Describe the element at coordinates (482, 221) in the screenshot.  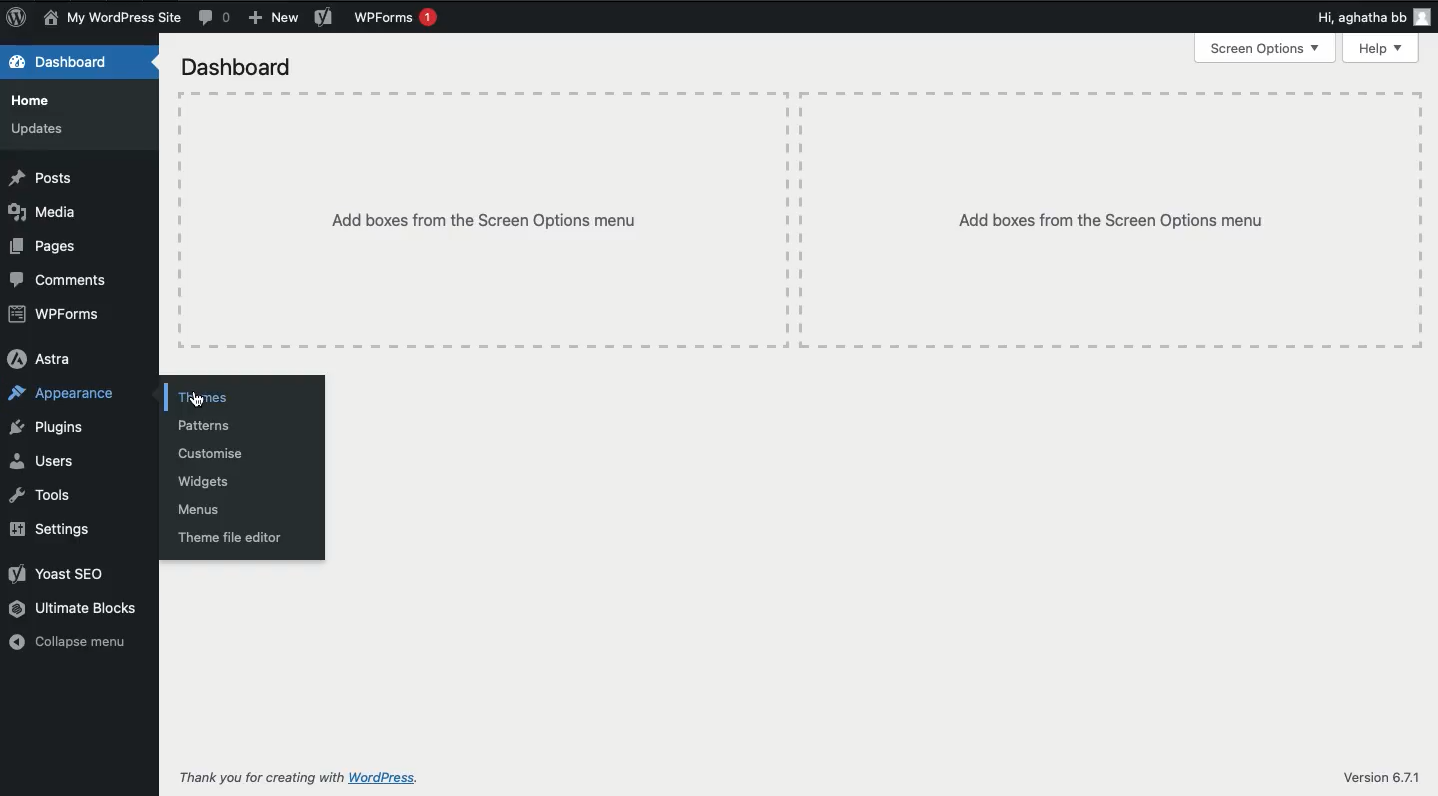
I see `Add boxes from the Screen Options menu` at that location.